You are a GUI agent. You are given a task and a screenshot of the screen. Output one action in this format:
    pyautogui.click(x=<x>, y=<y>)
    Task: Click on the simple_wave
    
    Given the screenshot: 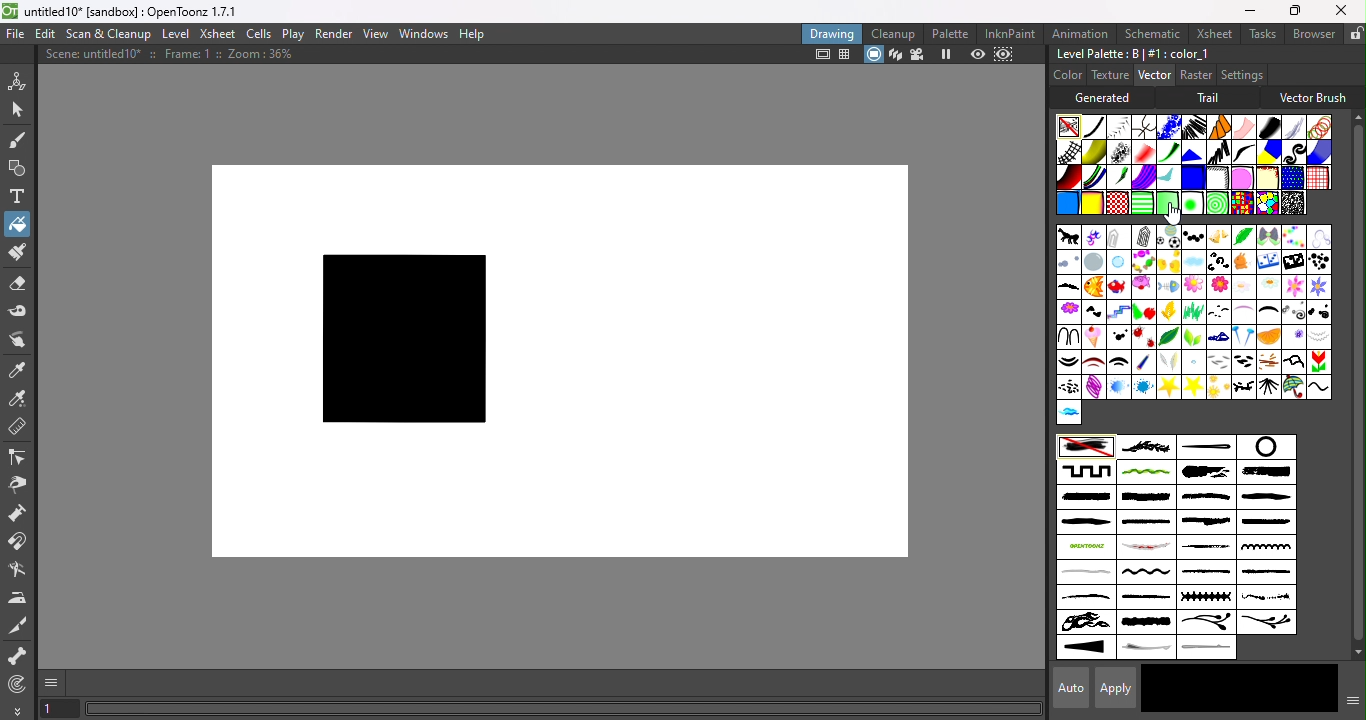 What is the action you would take?
    pyautogui.click(x=1144, y=574)
    